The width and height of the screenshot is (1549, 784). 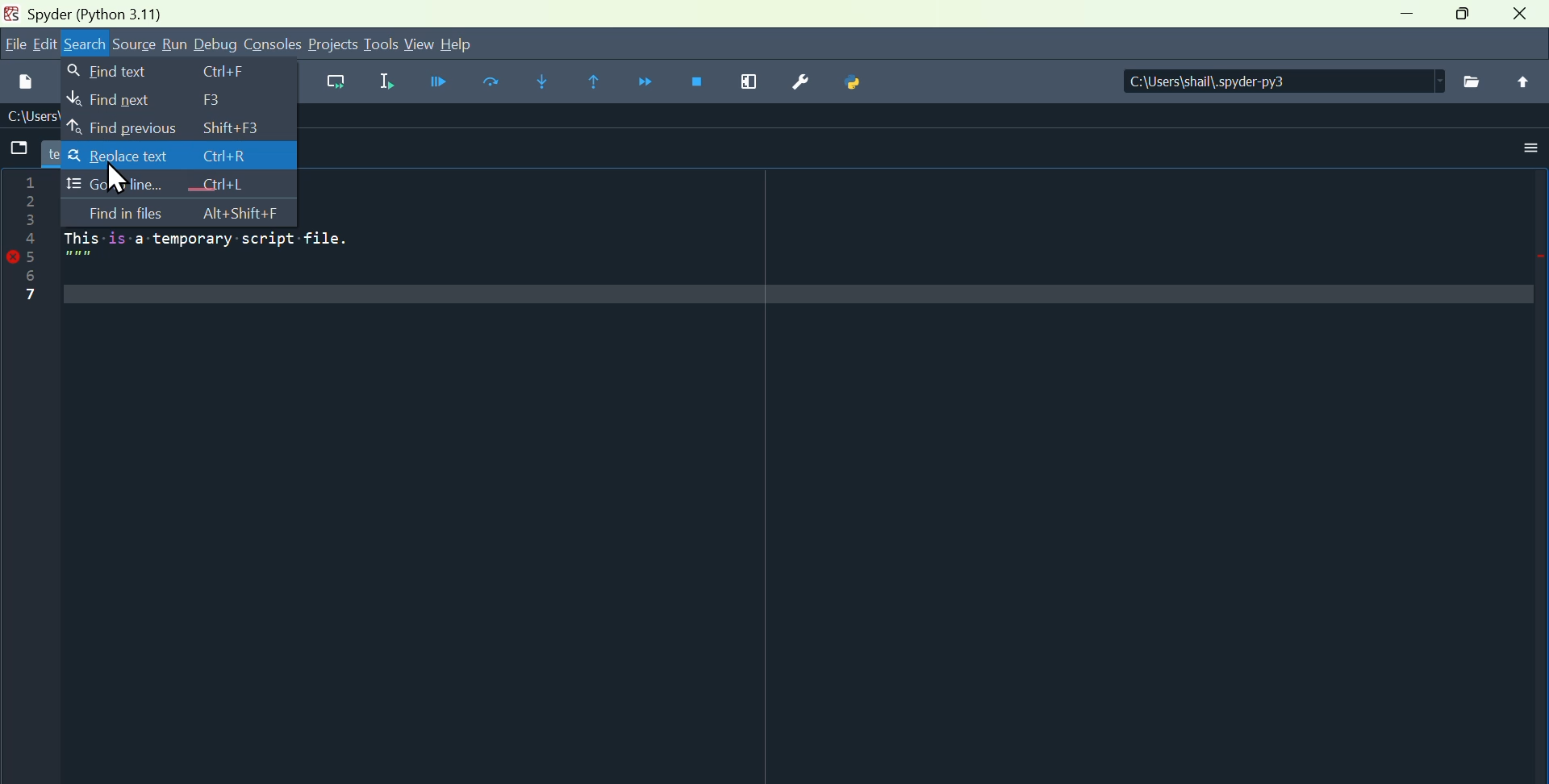 I want to click on Find next, so click(x=173, y=98).